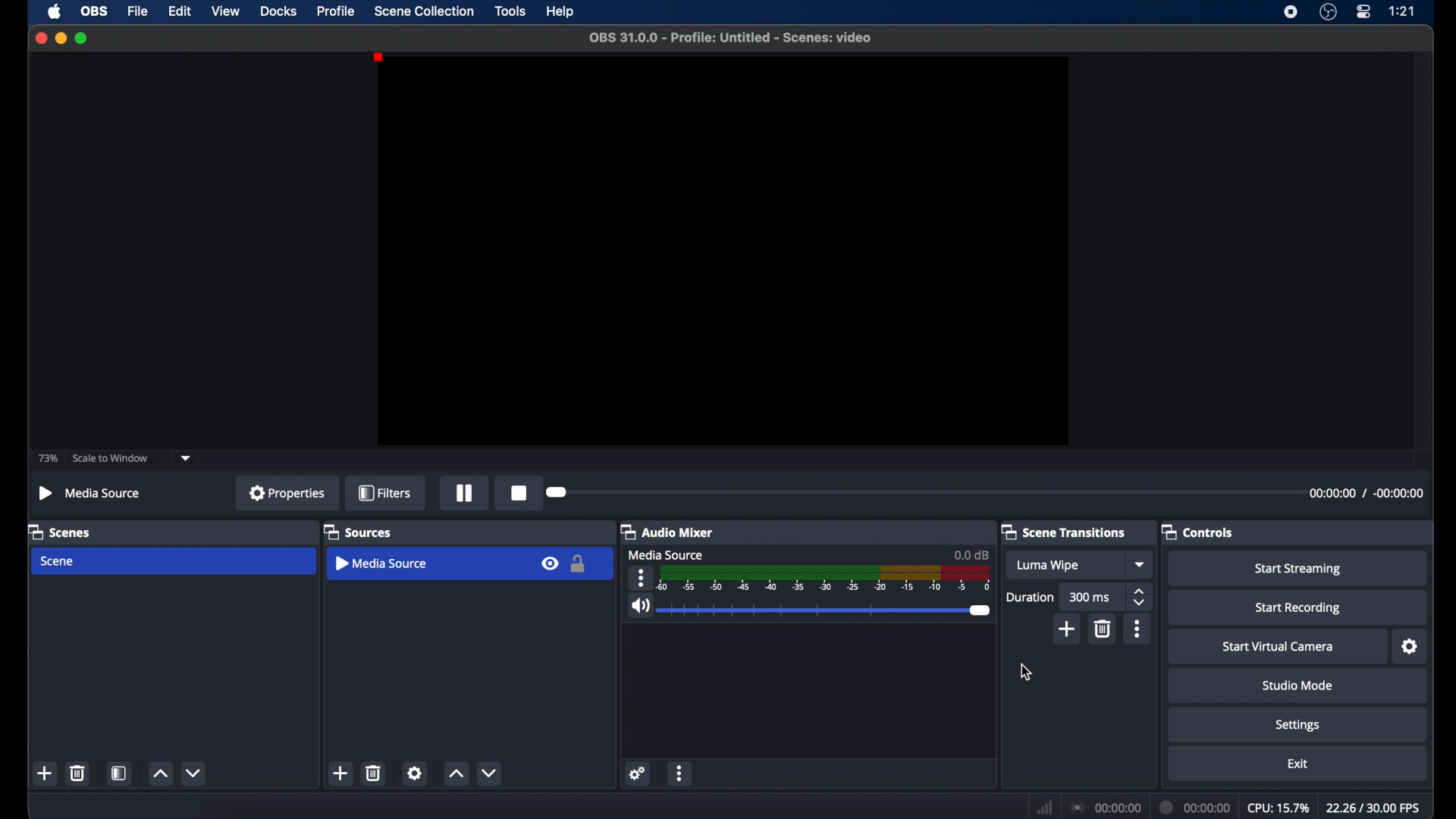  What do you see at coordinates (491, 772) in the screenshot?
I see `decrement` at bounding box center [491, 772].